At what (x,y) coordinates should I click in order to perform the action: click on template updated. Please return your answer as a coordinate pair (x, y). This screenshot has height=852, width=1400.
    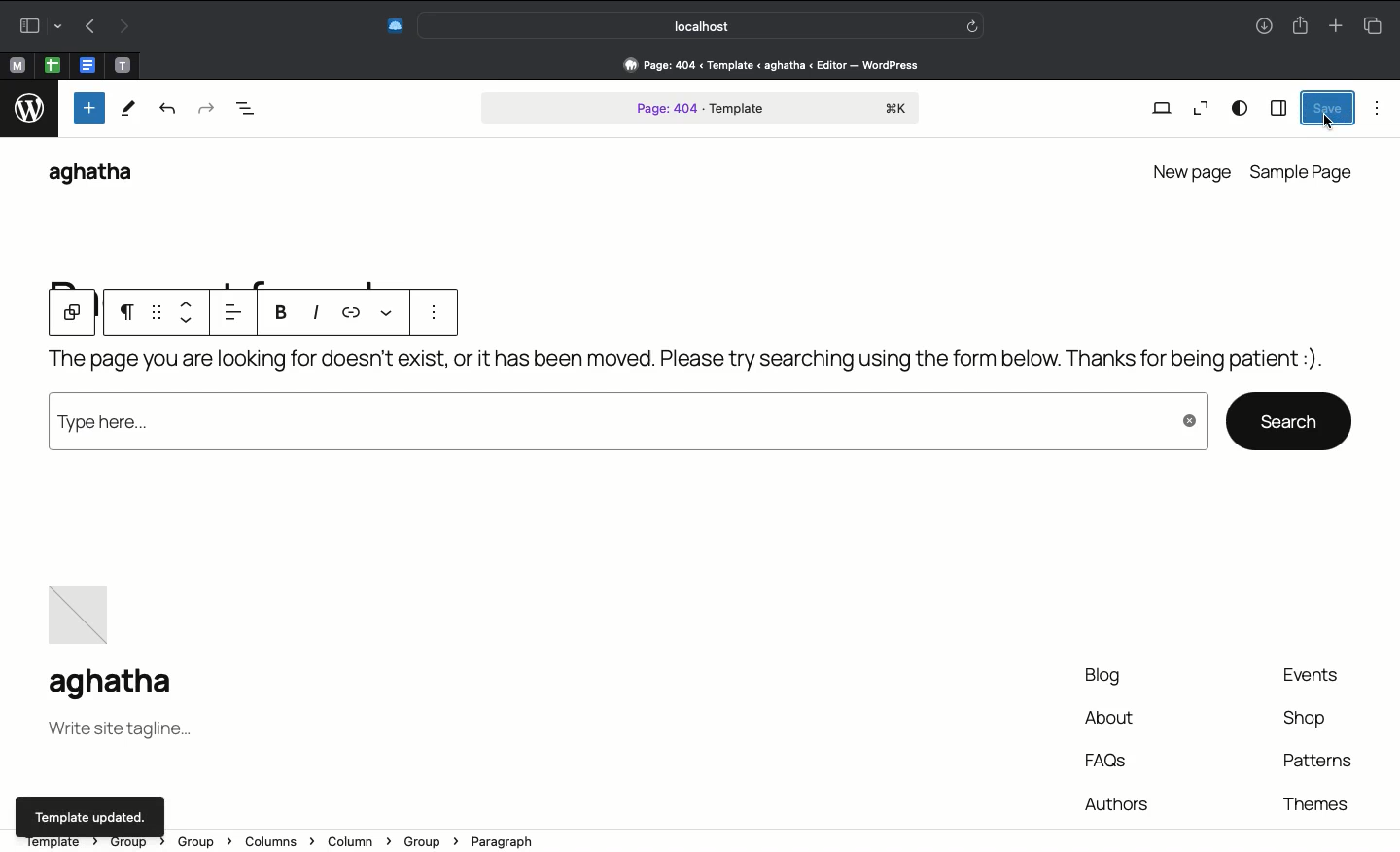
    Looking at the image, I should click on (88, 815).